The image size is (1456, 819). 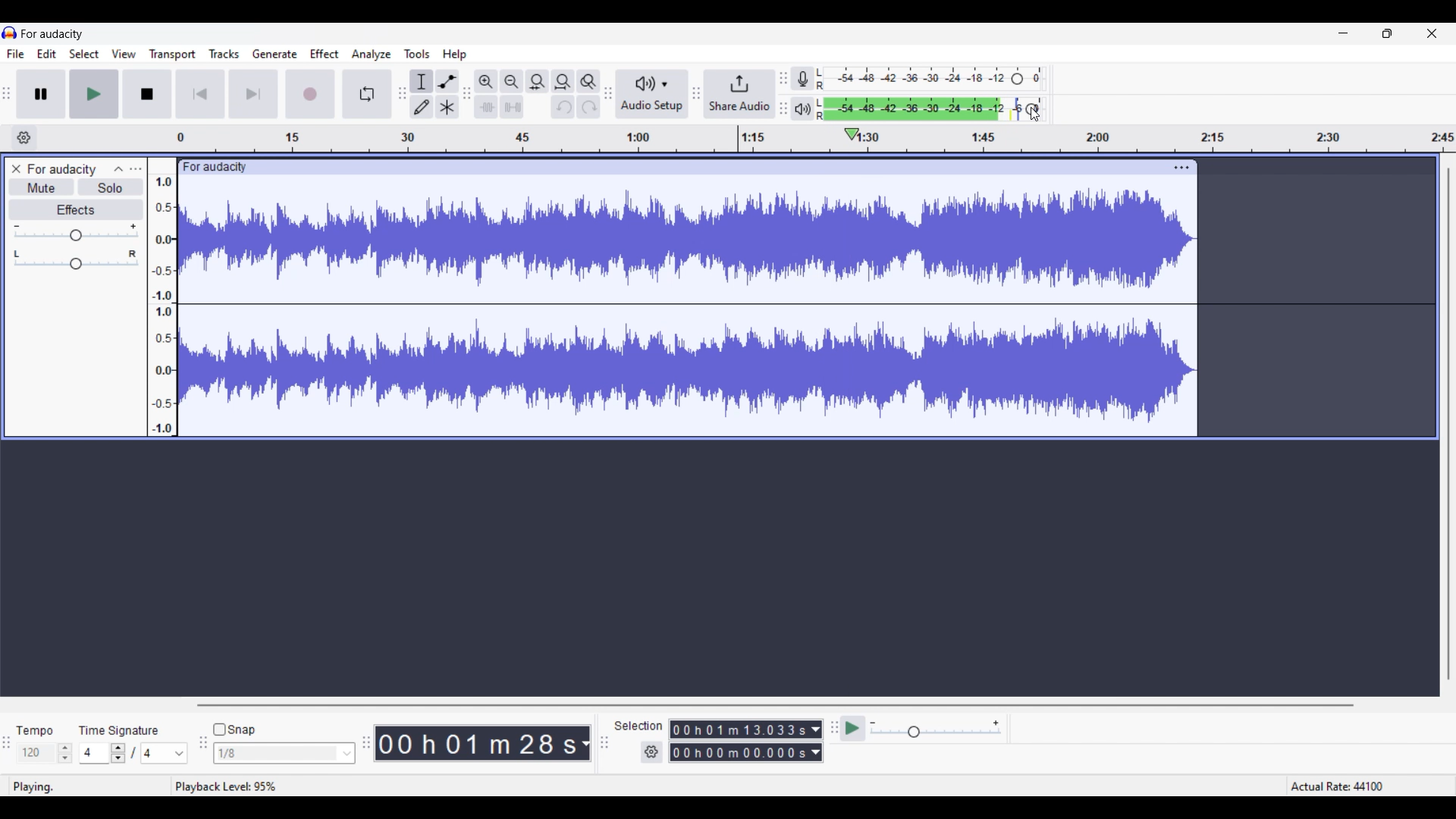 What do you see at coordinates (133, 752) in the screenshot?
I see `Time signature settings` at bounding box center [133, 752].